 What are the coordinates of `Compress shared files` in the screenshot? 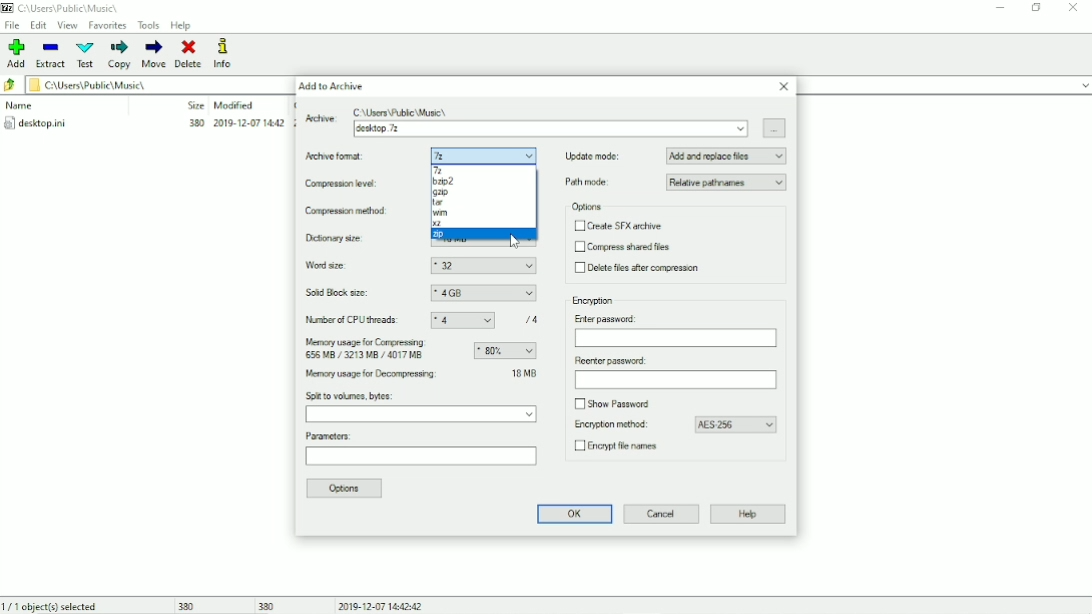 It's located at (624, 248).